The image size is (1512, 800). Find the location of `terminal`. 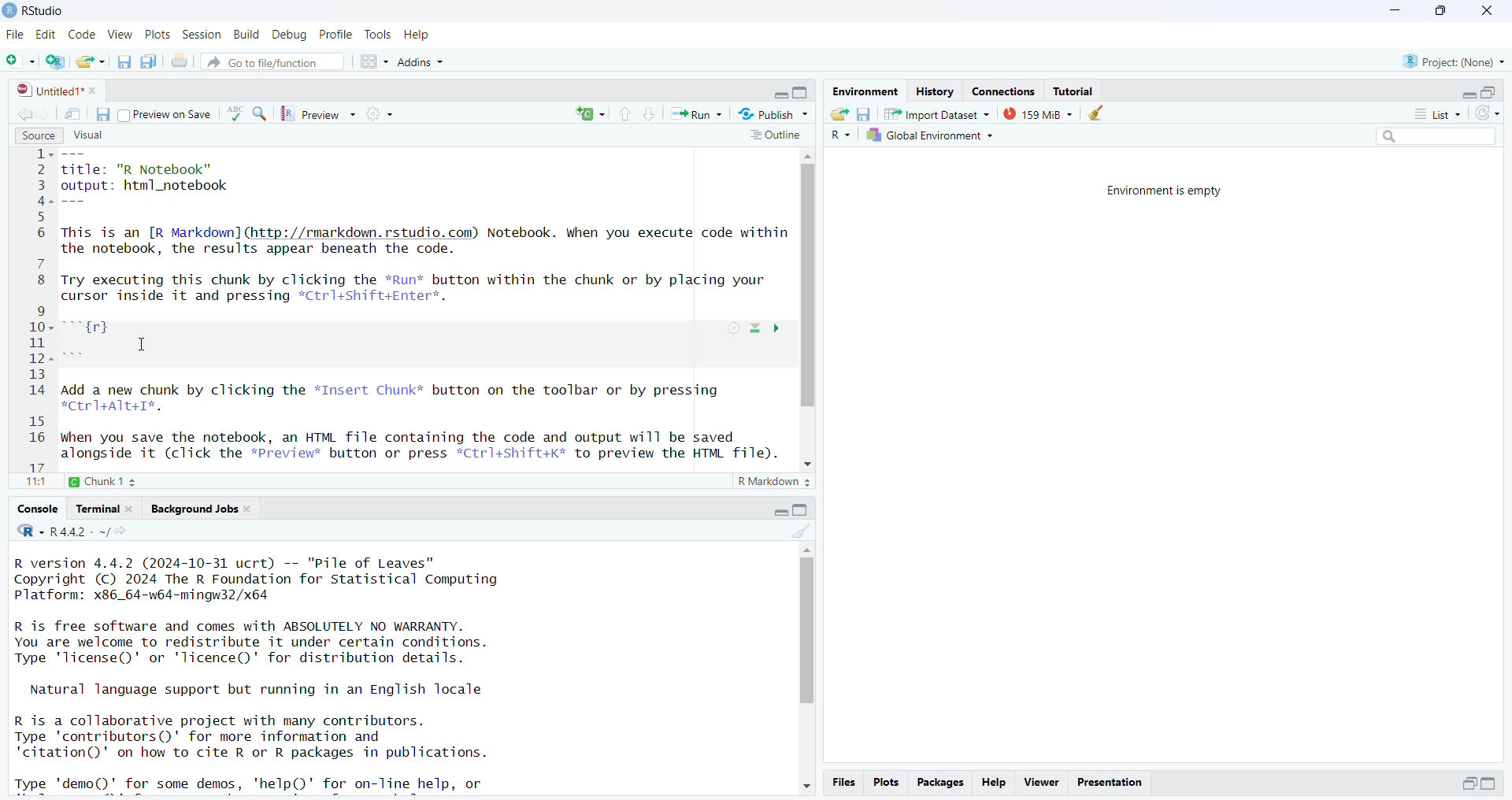

terminal is located at coordinates (106, 508).